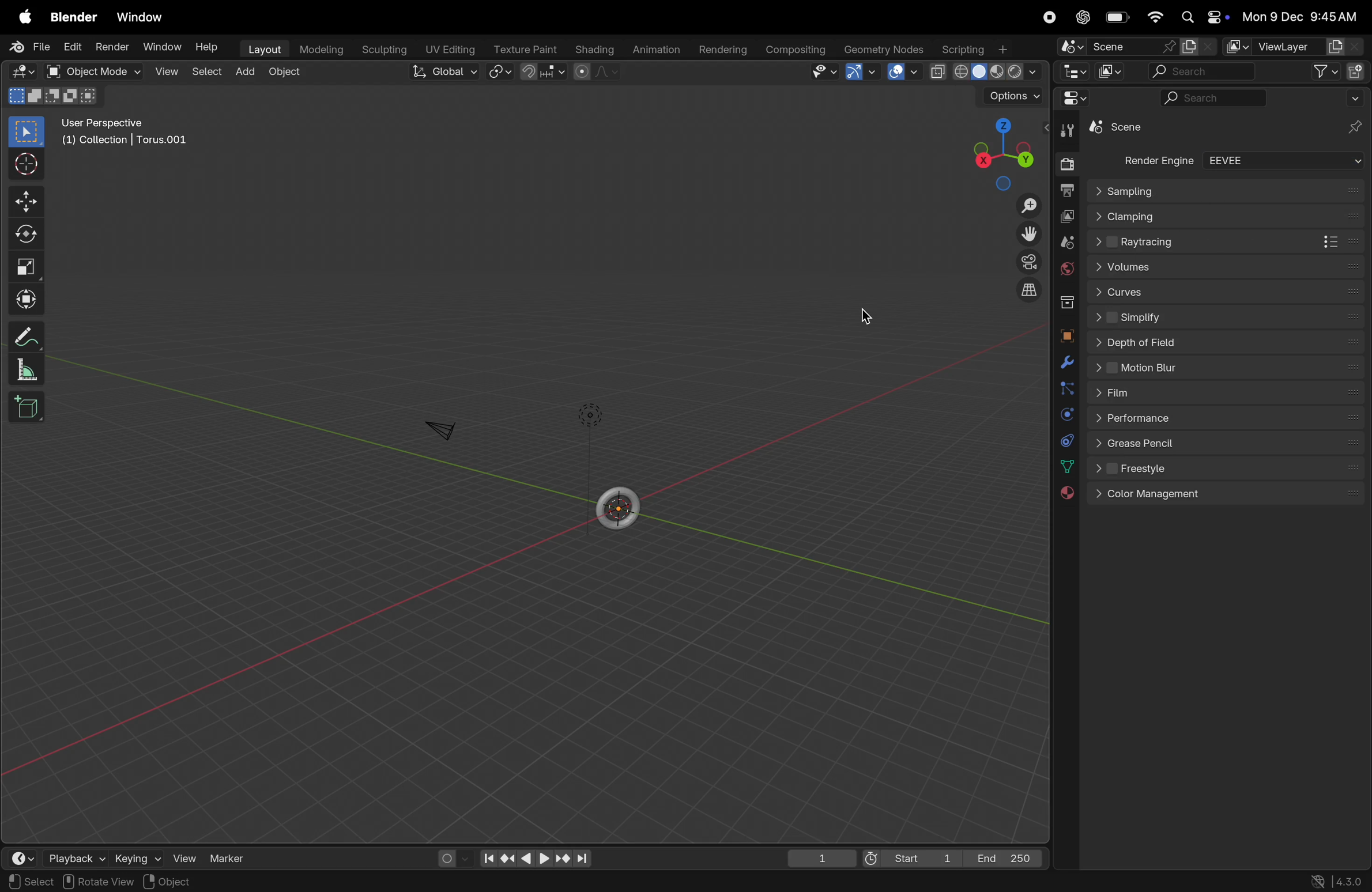 The height and width of the screenshot is (892, 1372). What do you see at coordinates (797, 50) in the screenshot?
I see `composting` at bounding box center [797, 50].